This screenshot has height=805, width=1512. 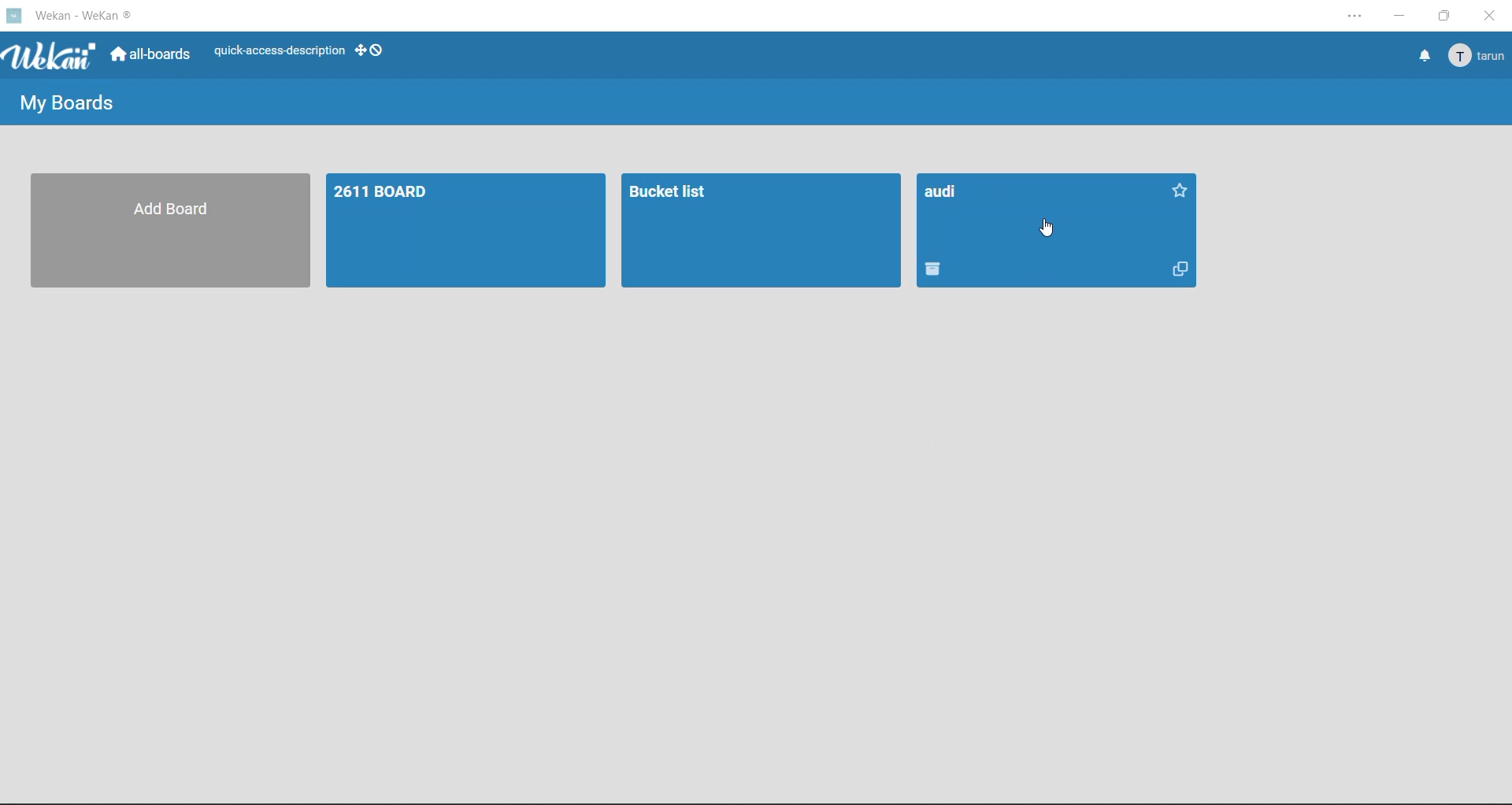 I want to click on all boards, so click(x=150, y=54).